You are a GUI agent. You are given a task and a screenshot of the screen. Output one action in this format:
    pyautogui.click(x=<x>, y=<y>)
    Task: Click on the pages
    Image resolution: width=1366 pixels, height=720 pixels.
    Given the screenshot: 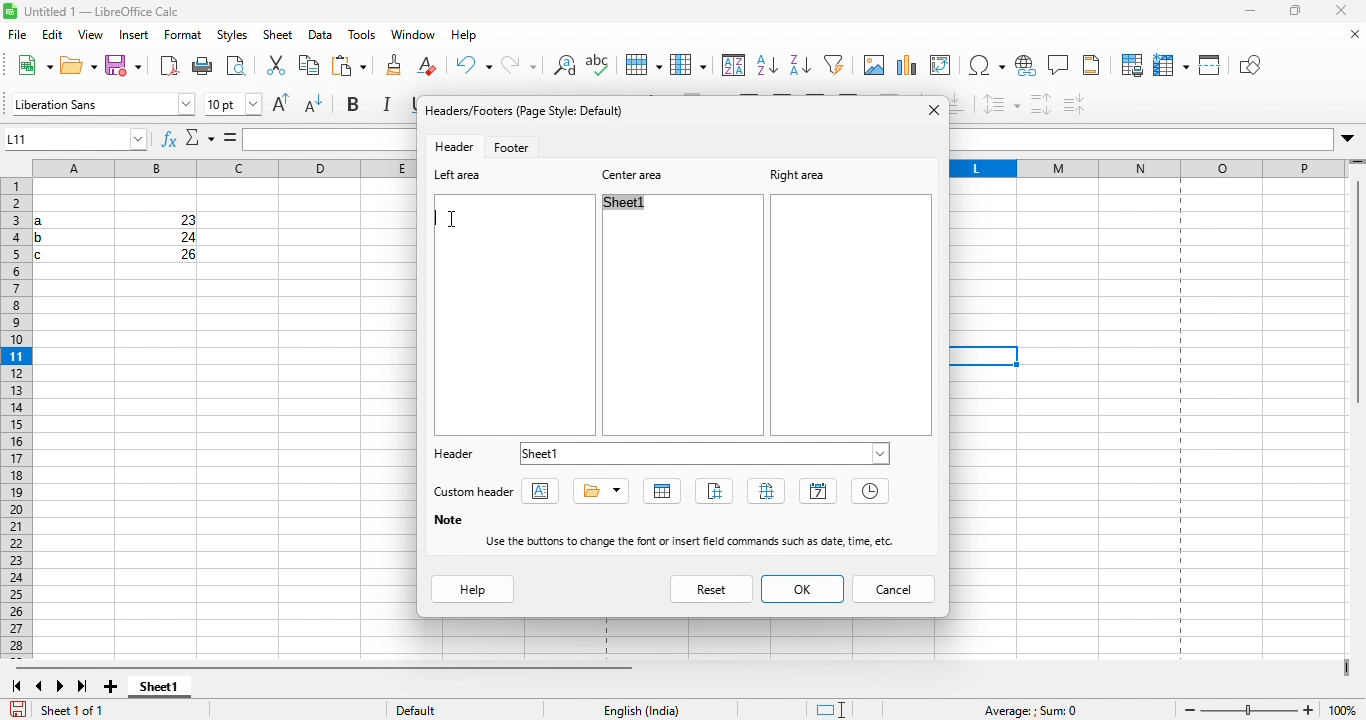 What is the action you would take?
    pyautogui.click(x=766, y=490)
    